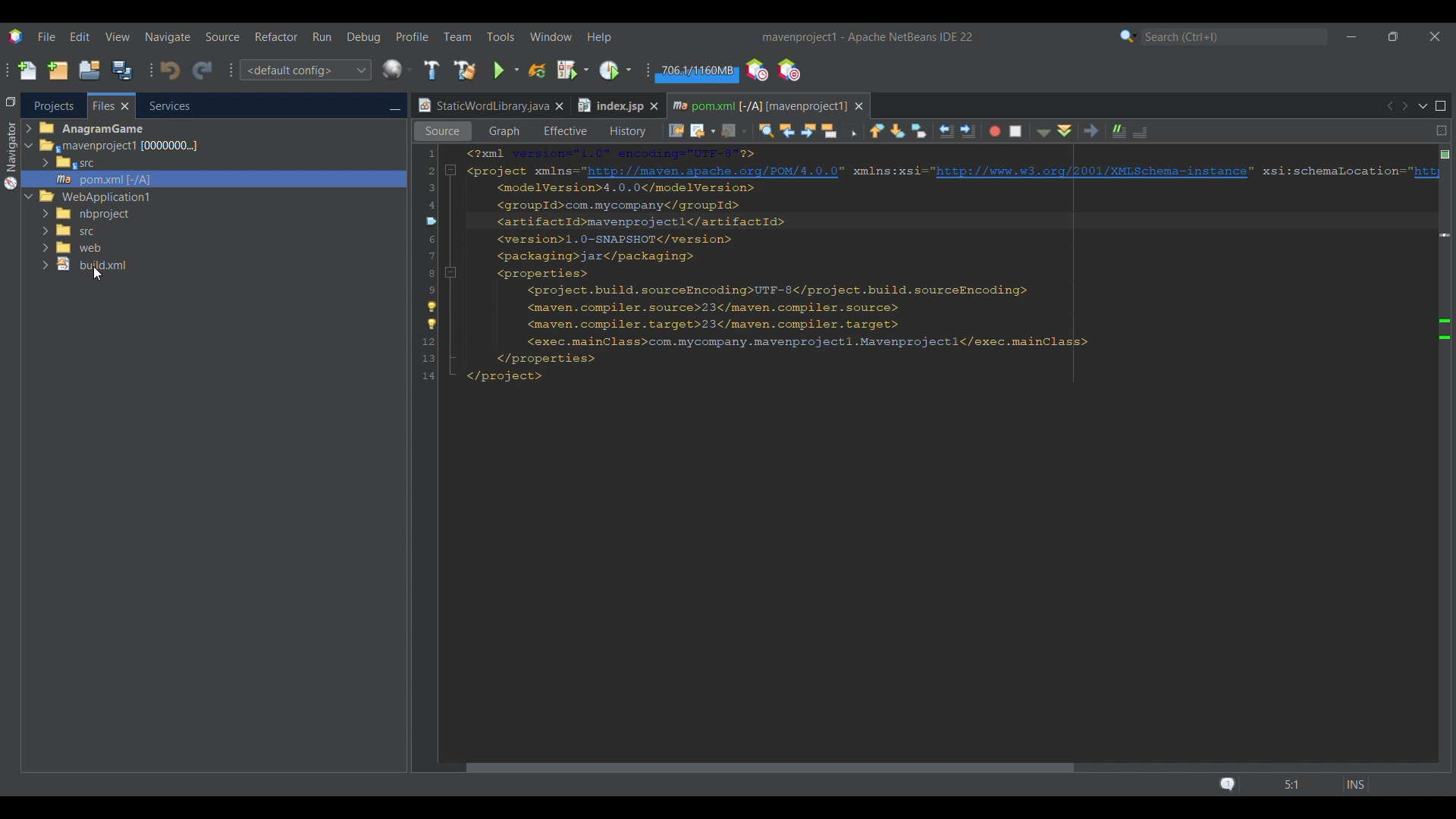  I want to click on Selected tab highlighted, so click(281, 145).